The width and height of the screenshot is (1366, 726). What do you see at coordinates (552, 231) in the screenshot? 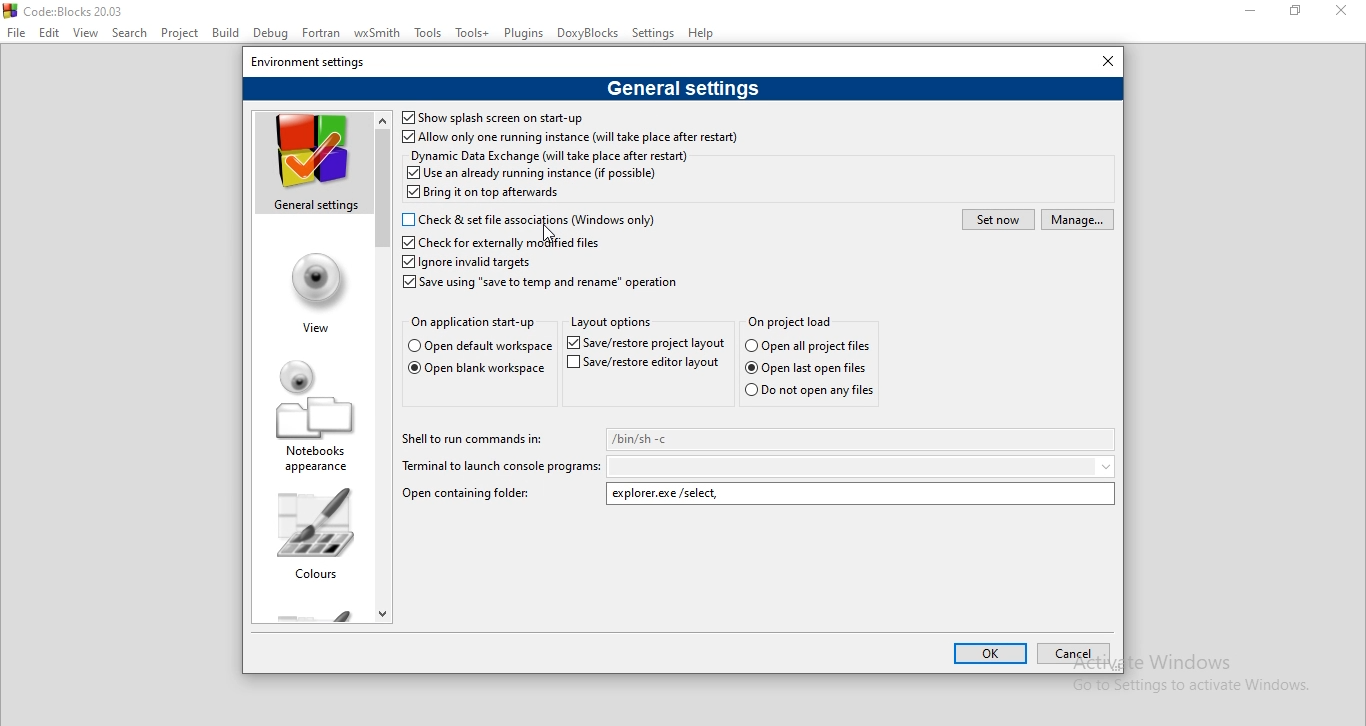
I see `Cursor` at bounding box center [552, 231].